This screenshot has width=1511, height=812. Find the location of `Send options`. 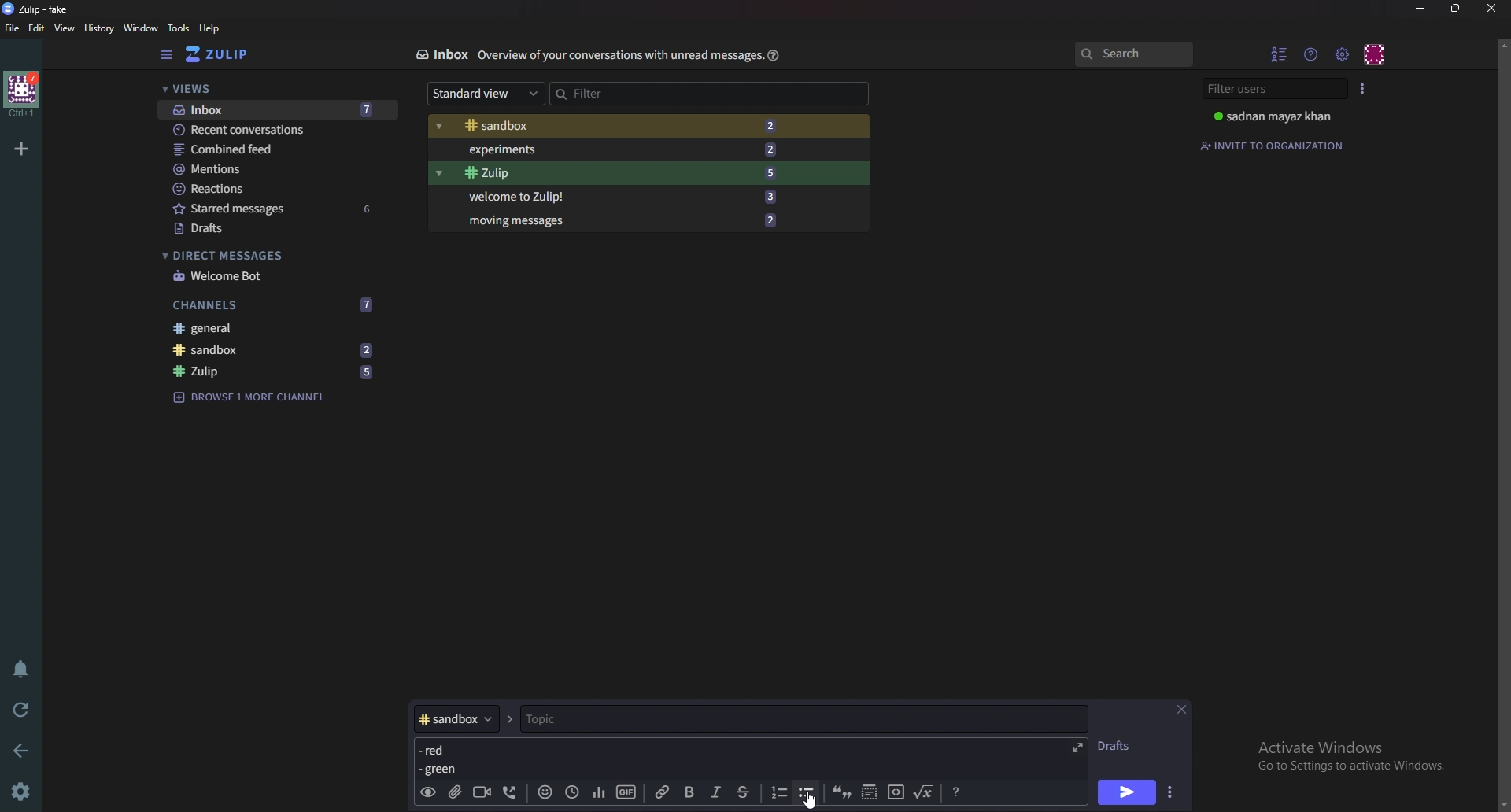

Send options is located at coordinates (1172, 792).